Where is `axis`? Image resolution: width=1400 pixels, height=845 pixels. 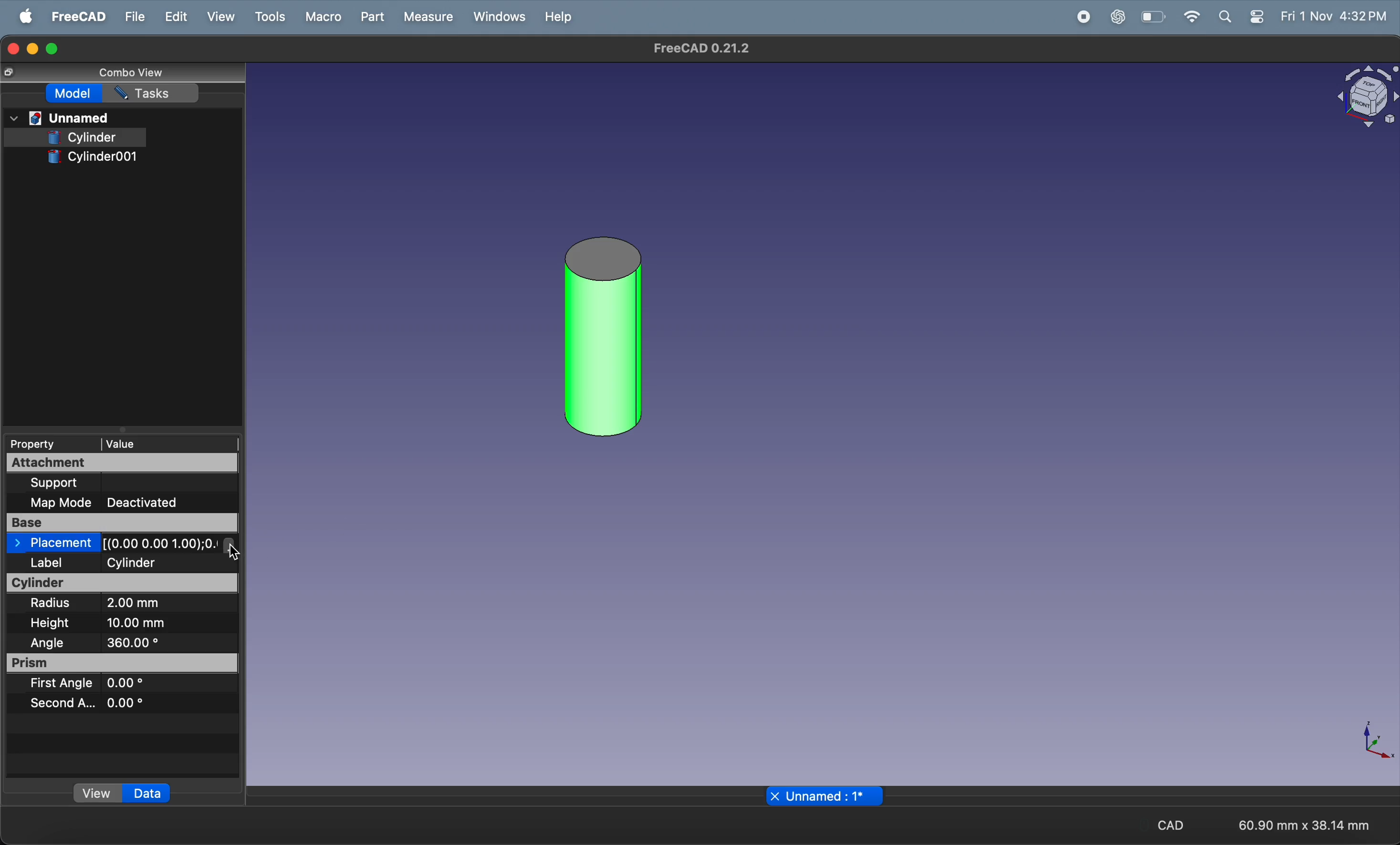
axis is located at coordinates (1375, 743).